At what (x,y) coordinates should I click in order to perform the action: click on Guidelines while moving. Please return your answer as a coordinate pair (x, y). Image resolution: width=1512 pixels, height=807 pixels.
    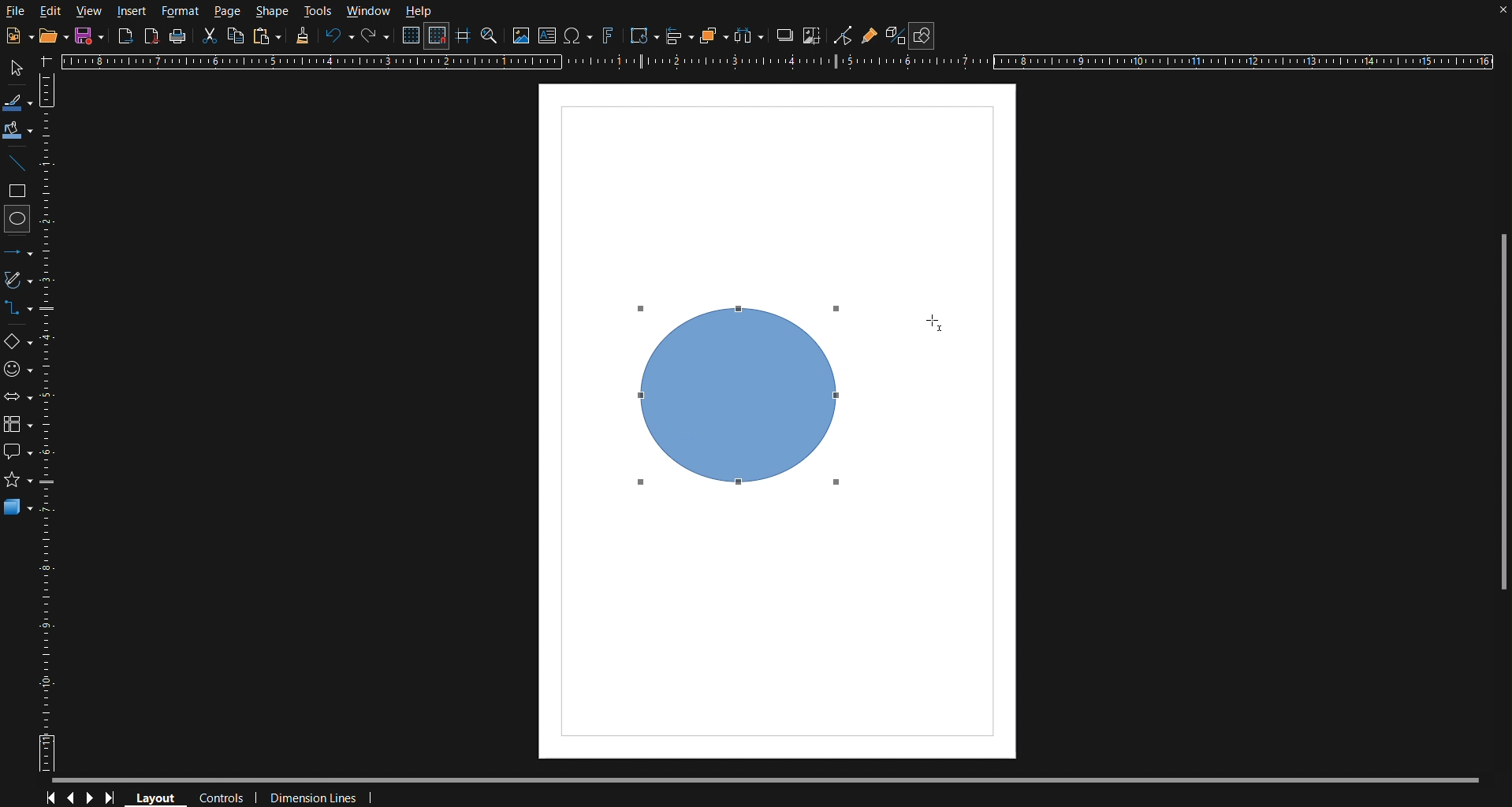
    Looking at the image, I should click on (464, 39).